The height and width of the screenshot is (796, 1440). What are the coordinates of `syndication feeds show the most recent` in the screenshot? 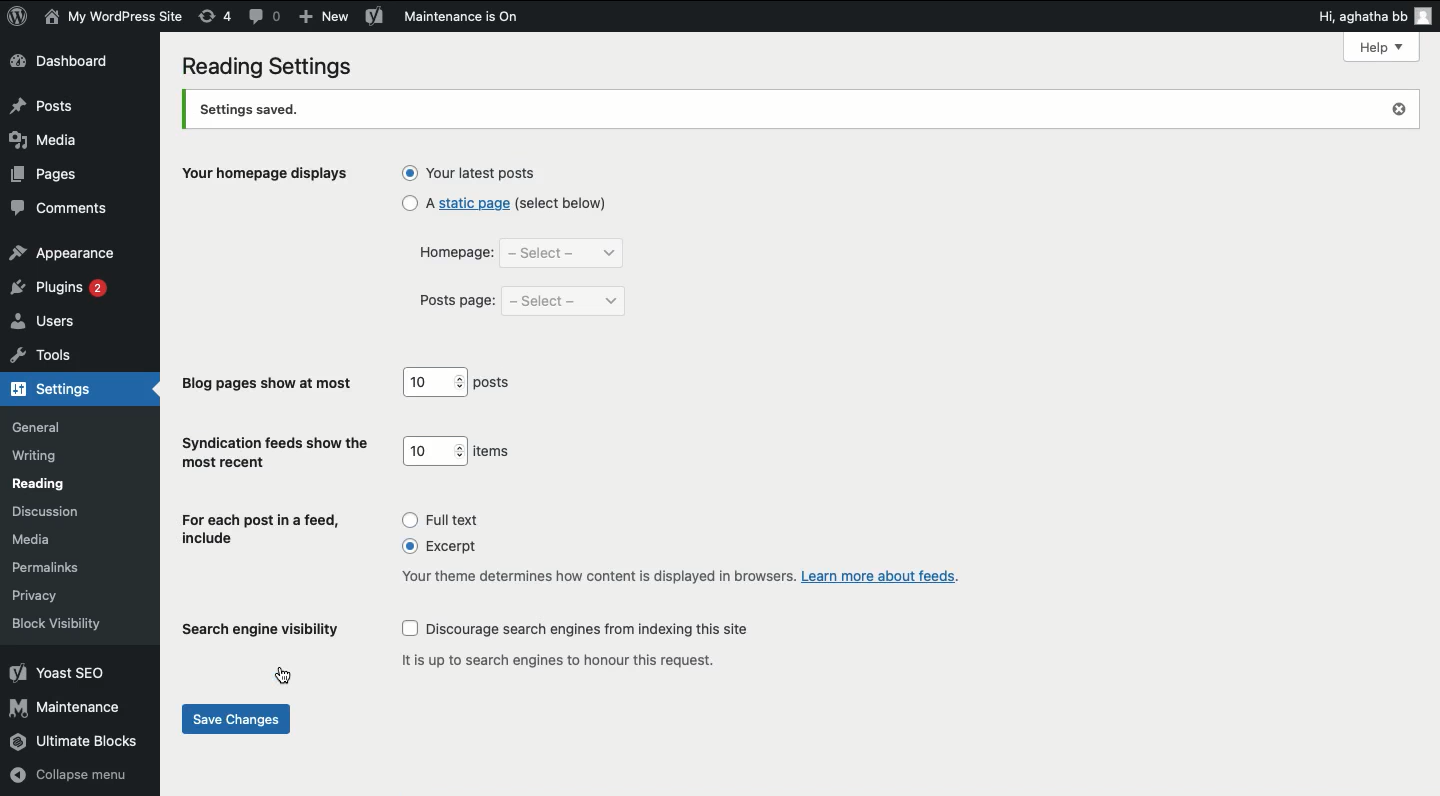 It's located at (276, 453).